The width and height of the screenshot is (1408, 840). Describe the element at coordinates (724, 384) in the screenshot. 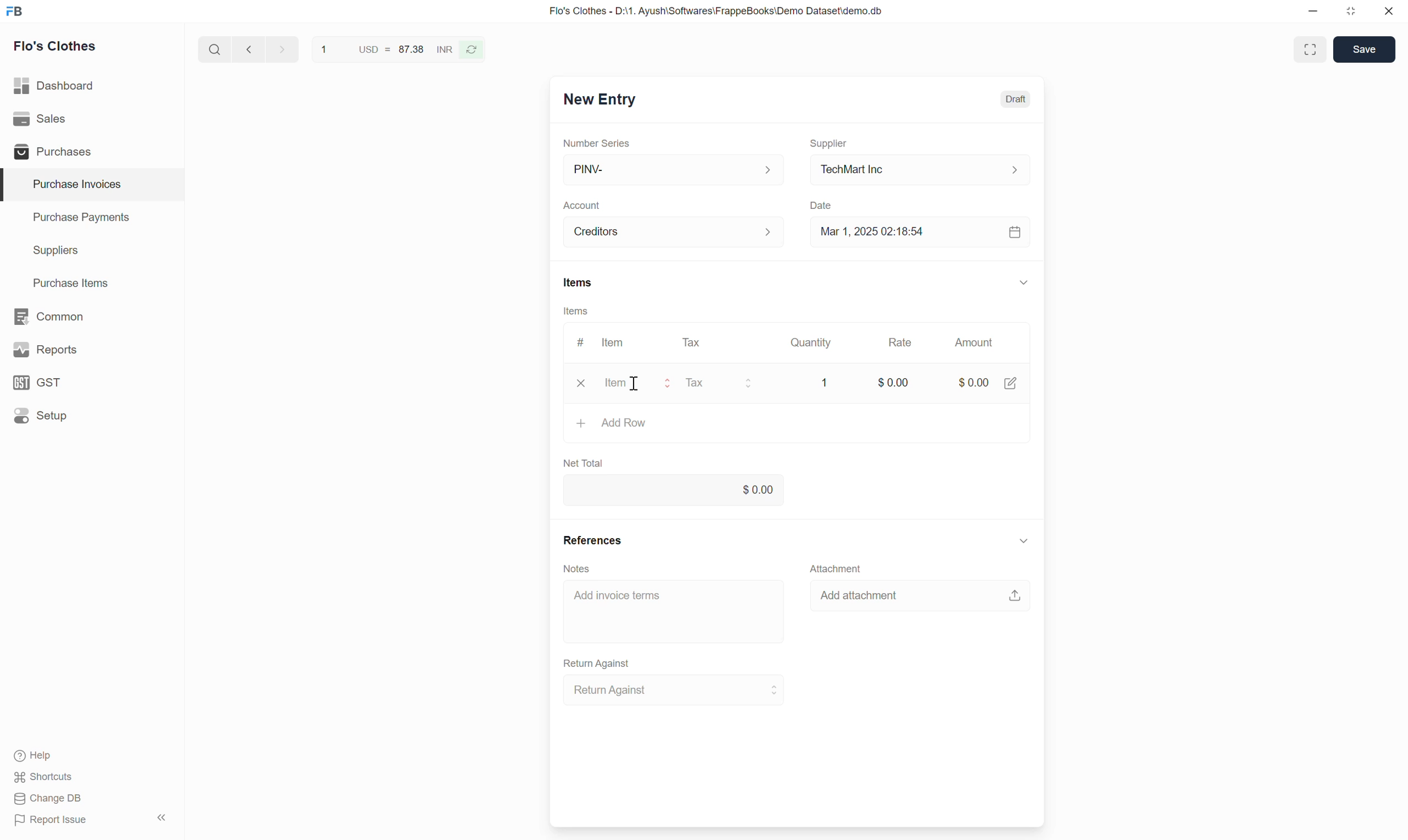

I see `Tax` at that location.